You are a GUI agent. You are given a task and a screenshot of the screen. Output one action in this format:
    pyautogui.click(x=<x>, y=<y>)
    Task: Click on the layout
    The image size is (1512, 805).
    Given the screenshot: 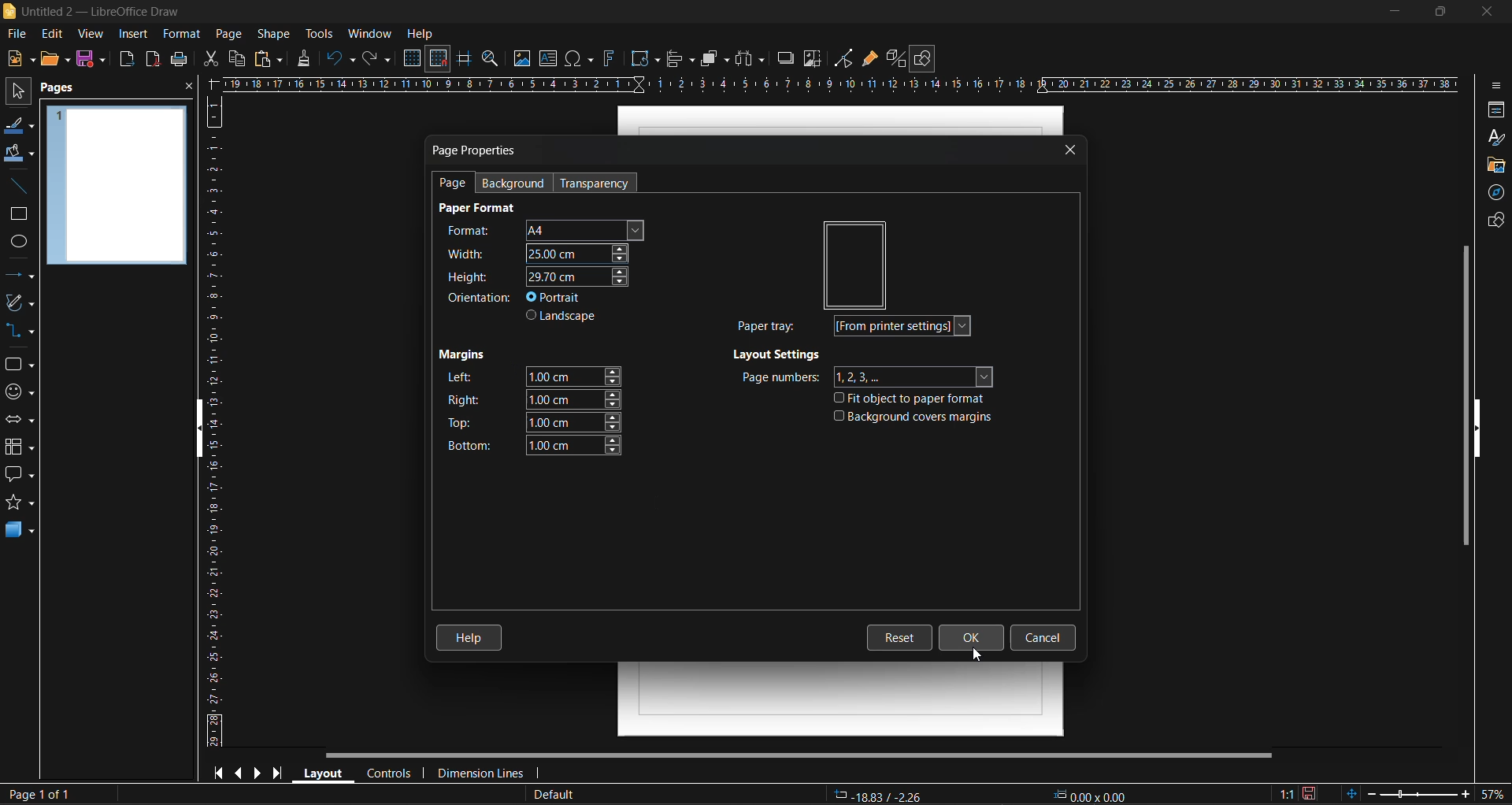 What is the action you would take?
    pyautogui.click(x=325, y=773)
    